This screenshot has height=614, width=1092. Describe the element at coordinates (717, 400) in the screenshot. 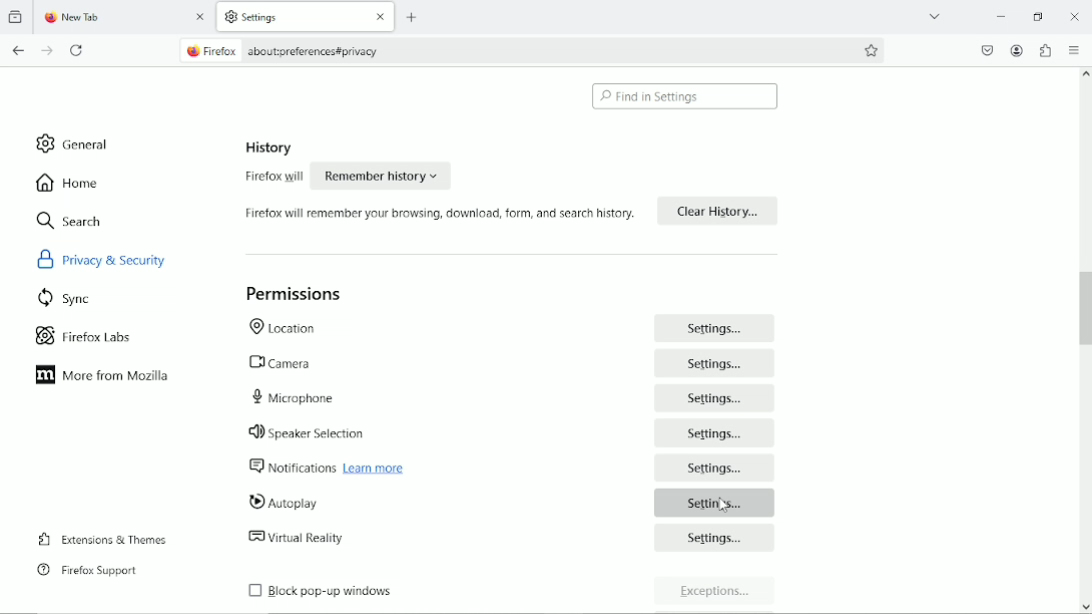

I see `Settings.` at that location.